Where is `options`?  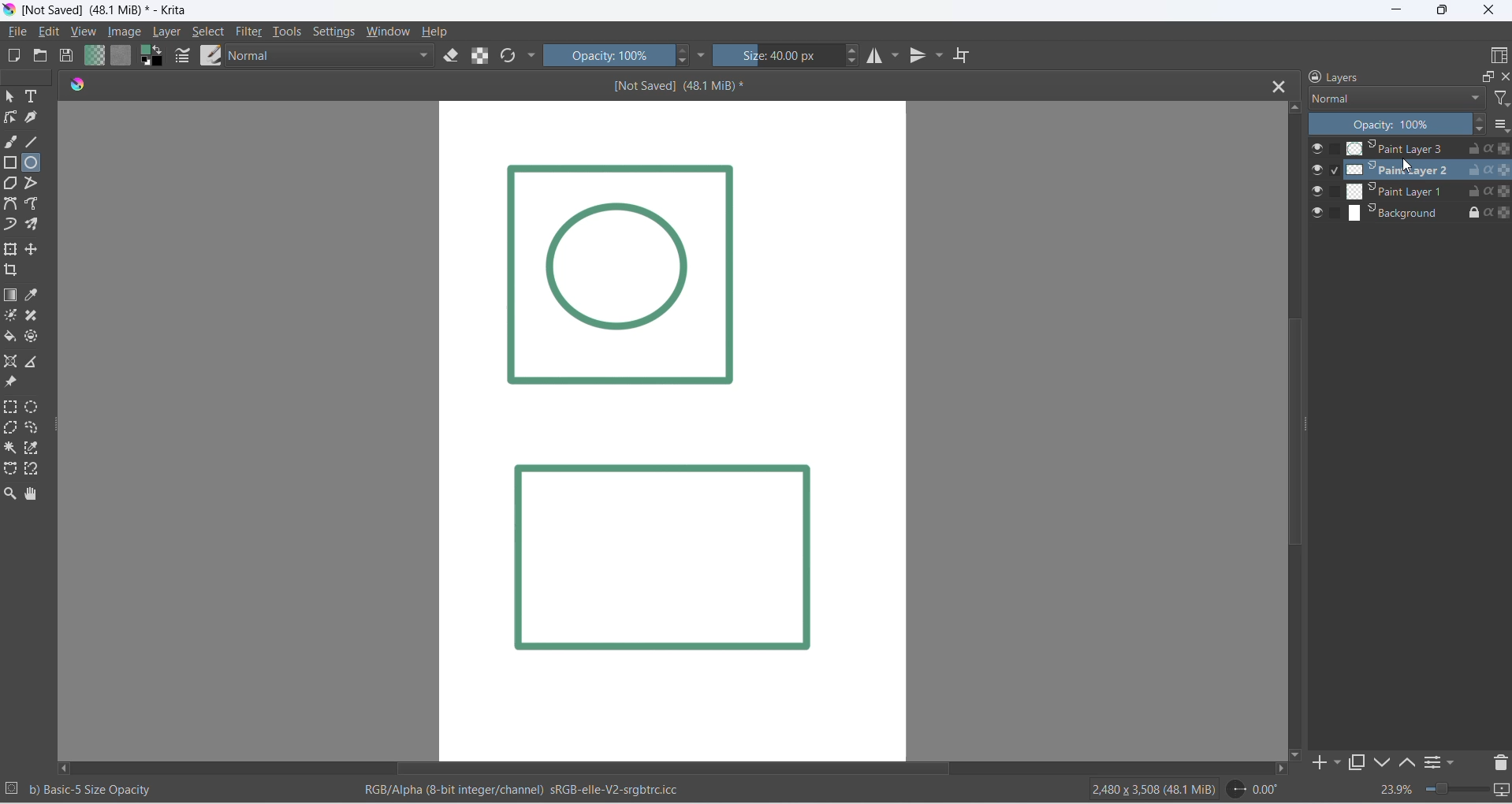
options is located at coordinates (1429, 761).